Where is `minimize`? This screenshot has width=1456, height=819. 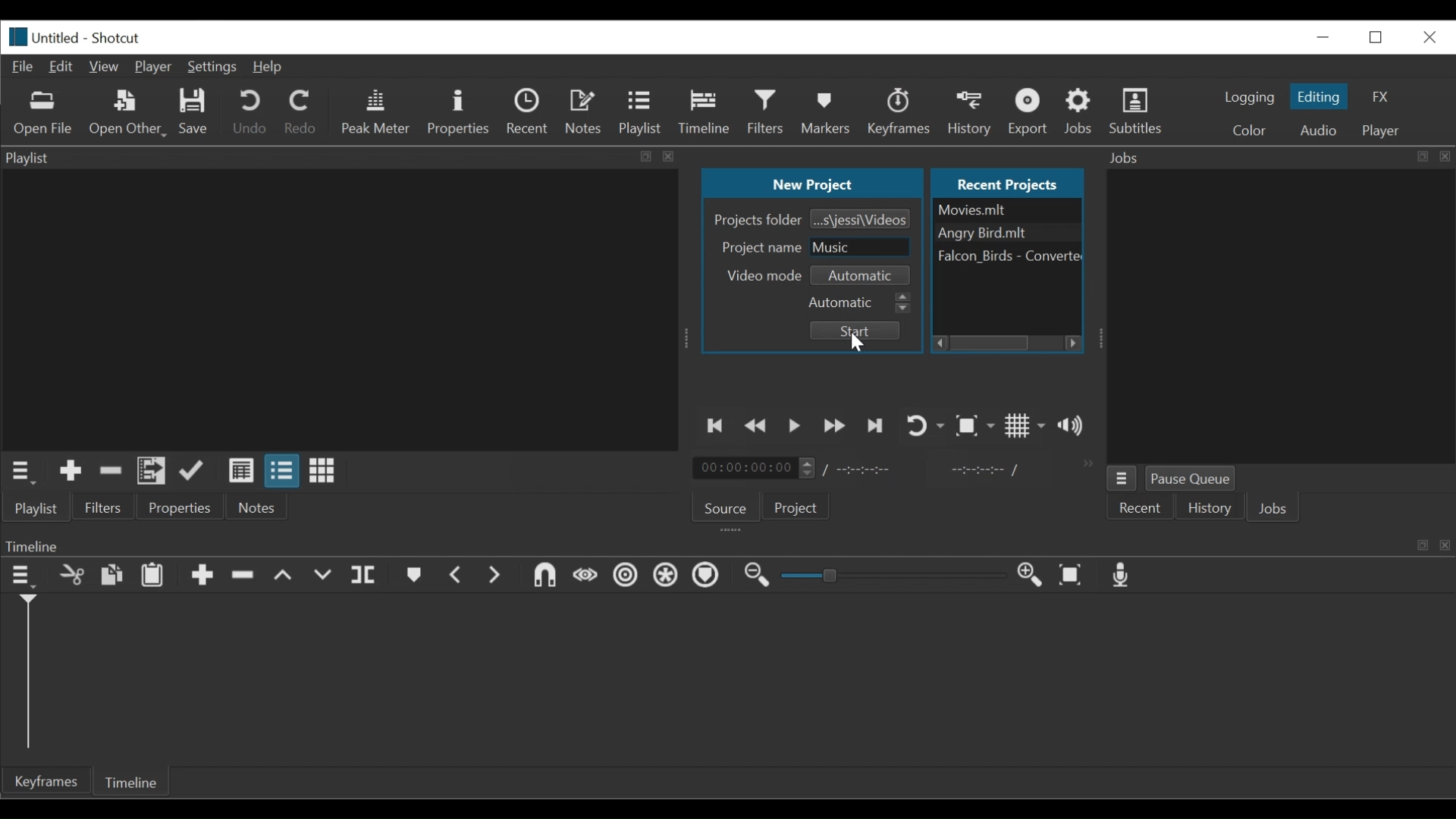
minimize is located at coordinates (1322, 37).